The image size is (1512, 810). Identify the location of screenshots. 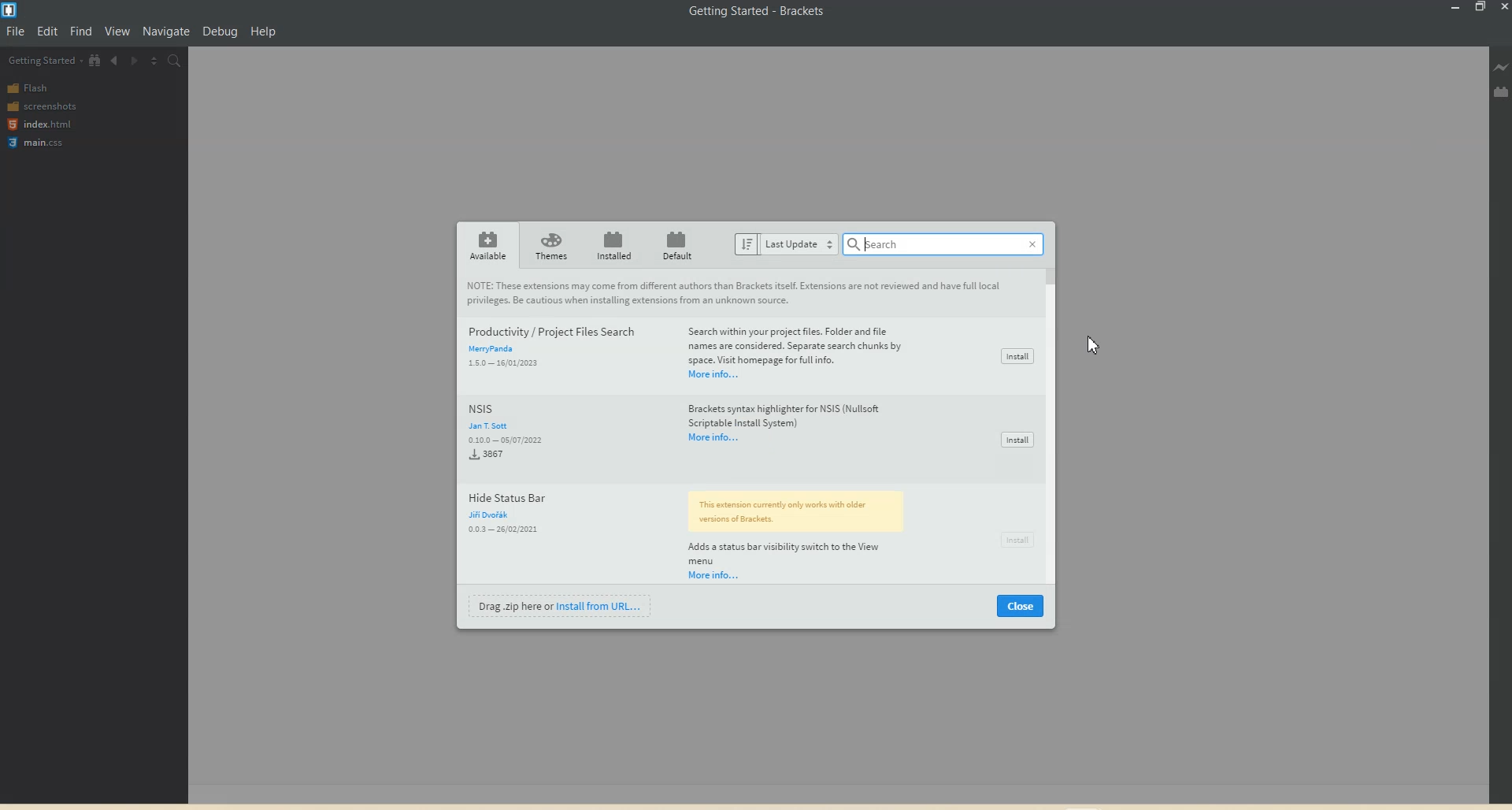
(43, 105).